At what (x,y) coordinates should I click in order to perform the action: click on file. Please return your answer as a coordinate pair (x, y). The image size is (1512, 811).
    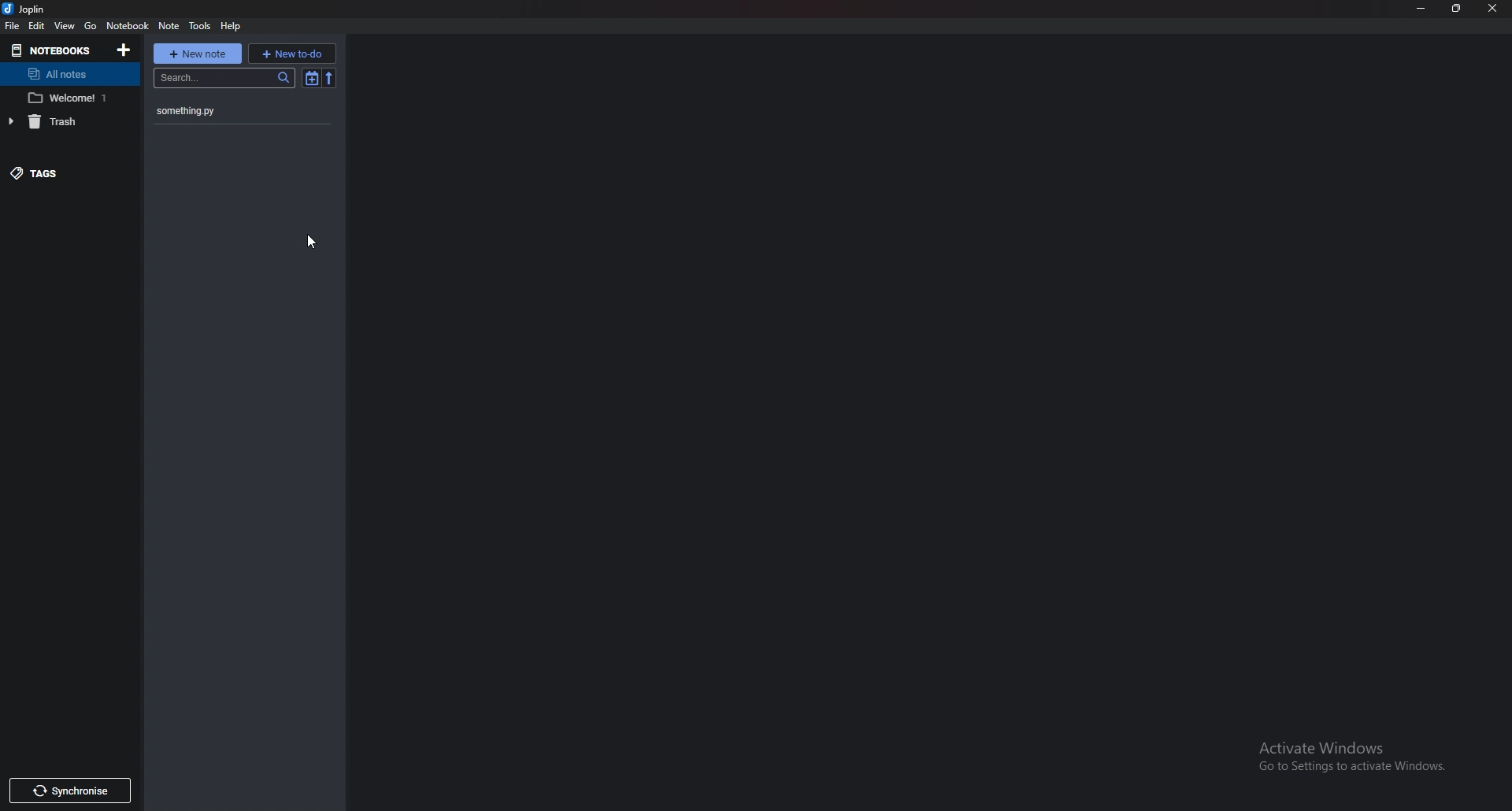
    Looking at the image, I should click on (15, 26).